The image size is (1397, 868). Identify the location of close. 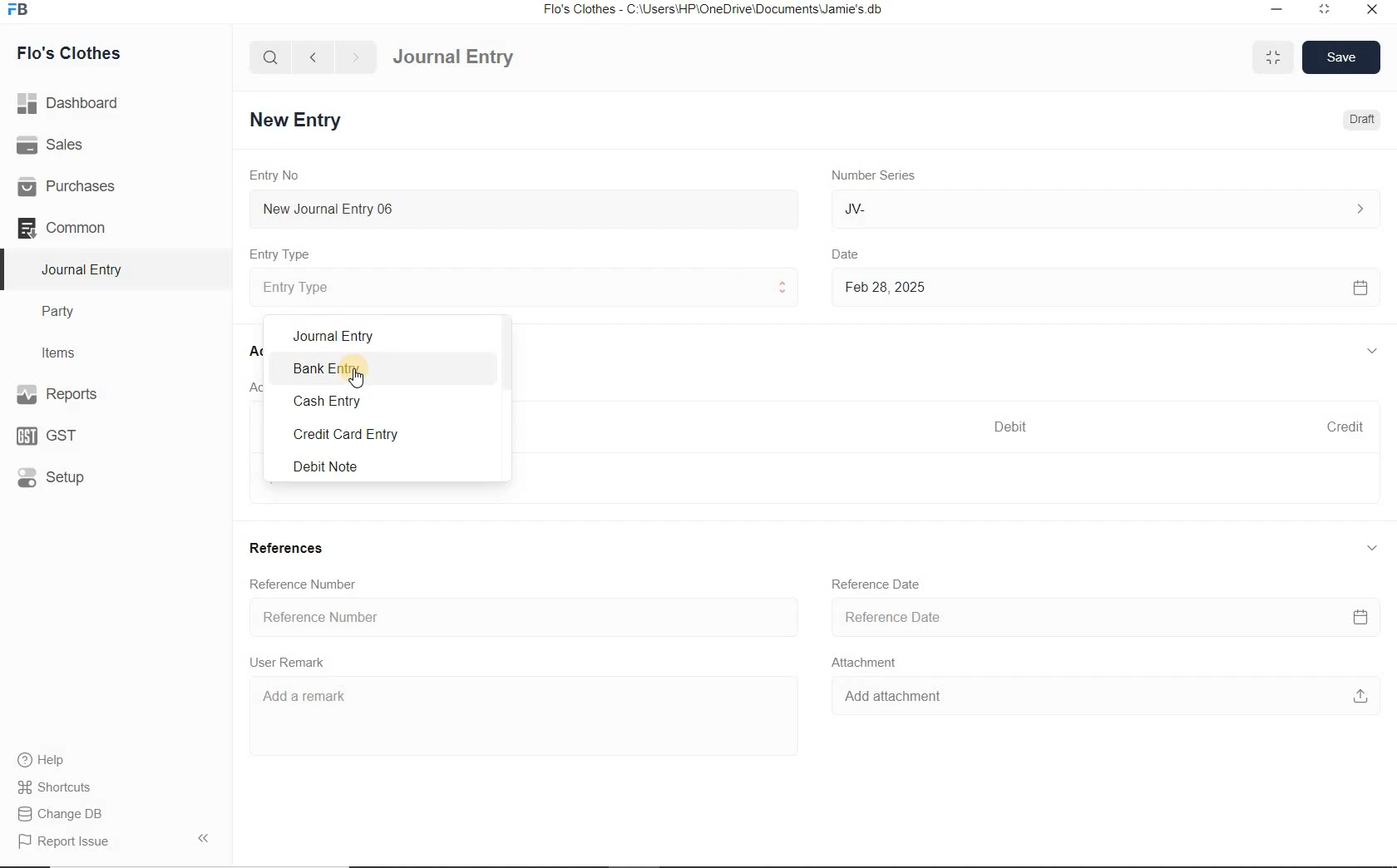
(1371, 8).